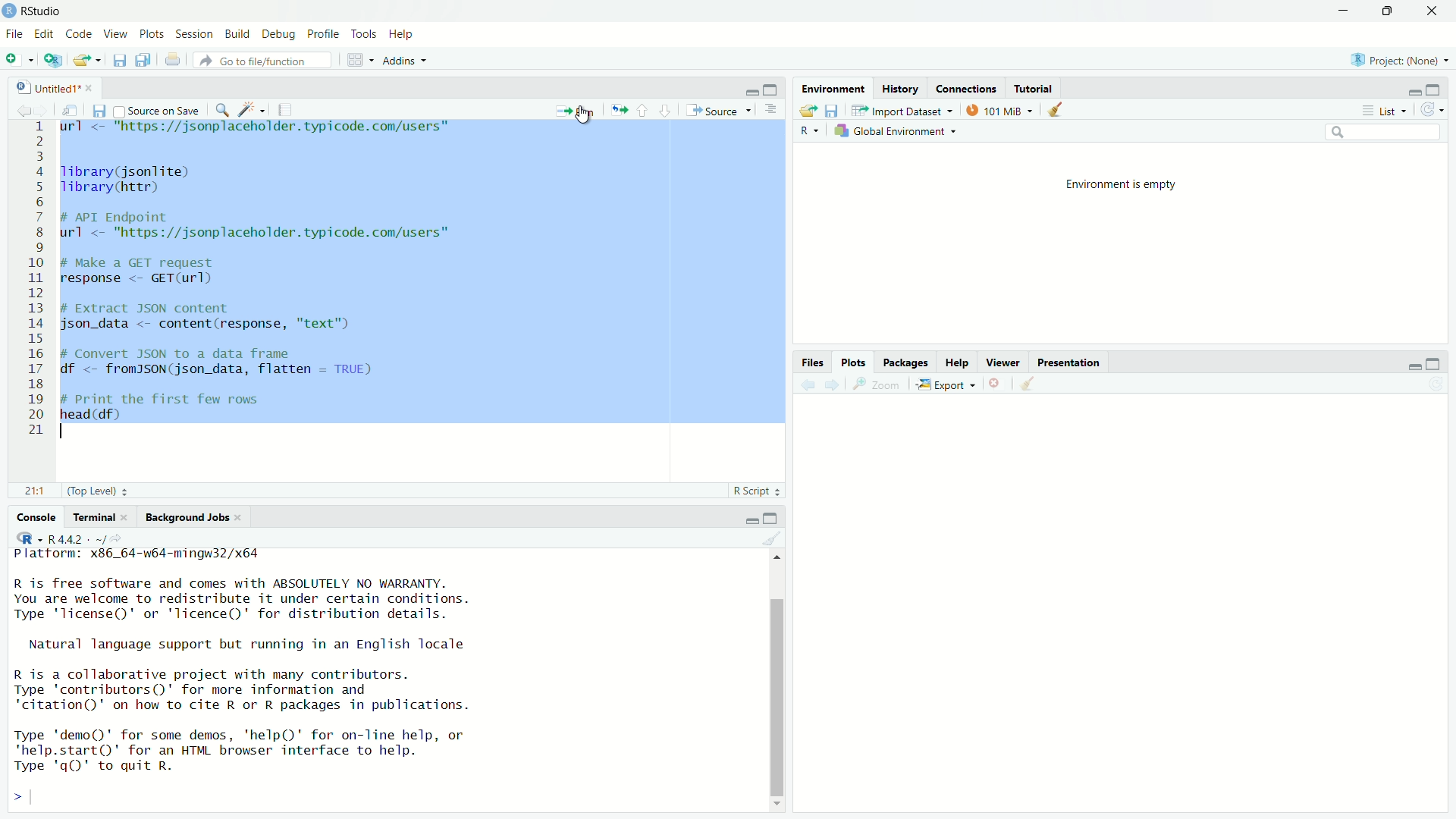 Image resolution: width=1456 pixels, height=819 pixels. I want to click on Session, so click(193, 34).